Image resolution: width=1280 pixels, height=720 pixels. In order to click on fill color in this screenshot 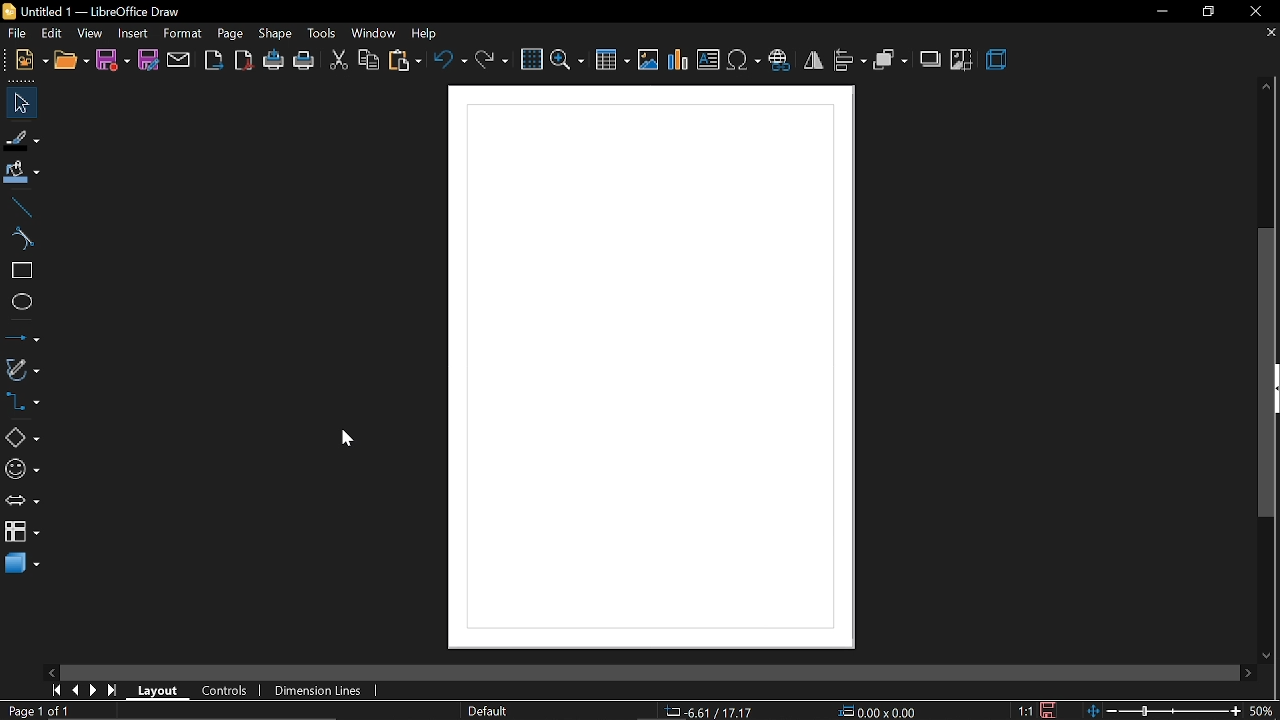, I will do `click(22, 171)`.